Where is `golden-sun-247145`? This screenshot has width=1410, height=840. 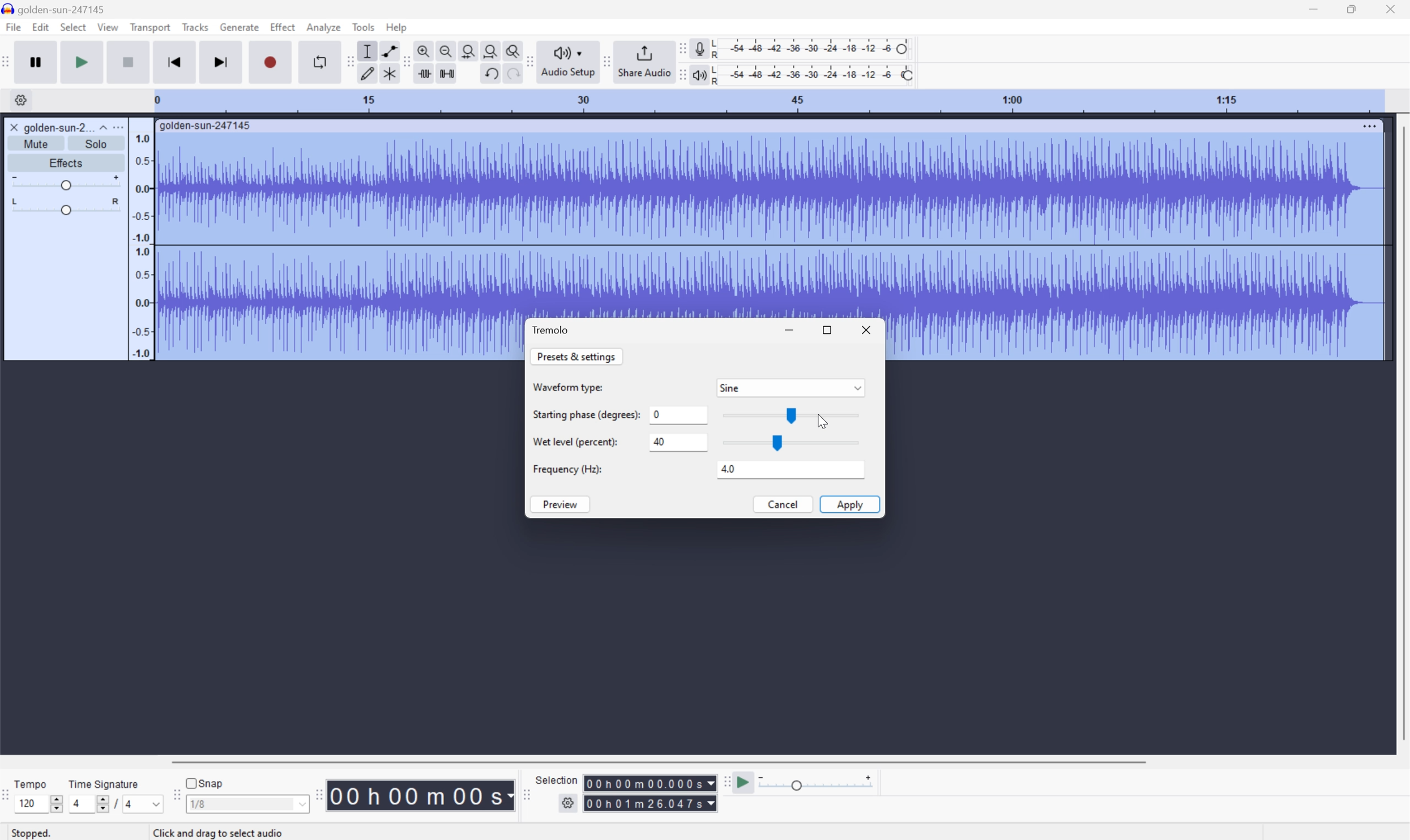
golden-sun-247145 is located at coordinates (206, 127).